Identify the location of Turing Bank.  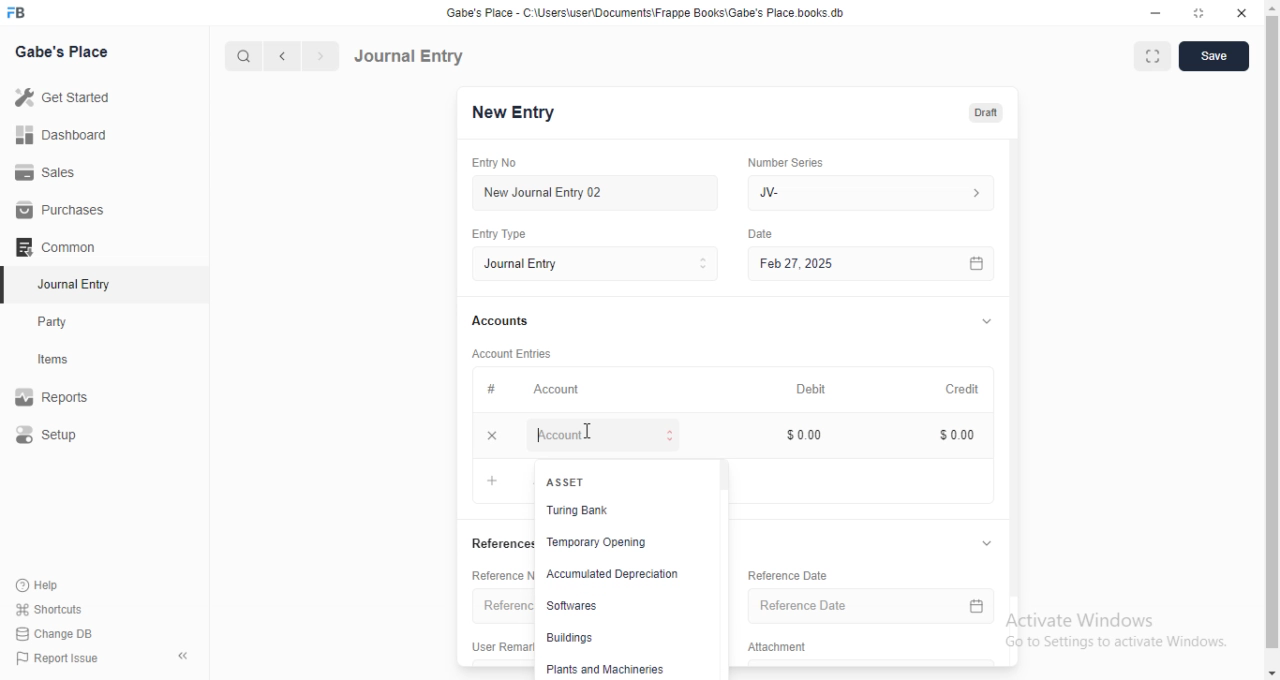
(579, 512).